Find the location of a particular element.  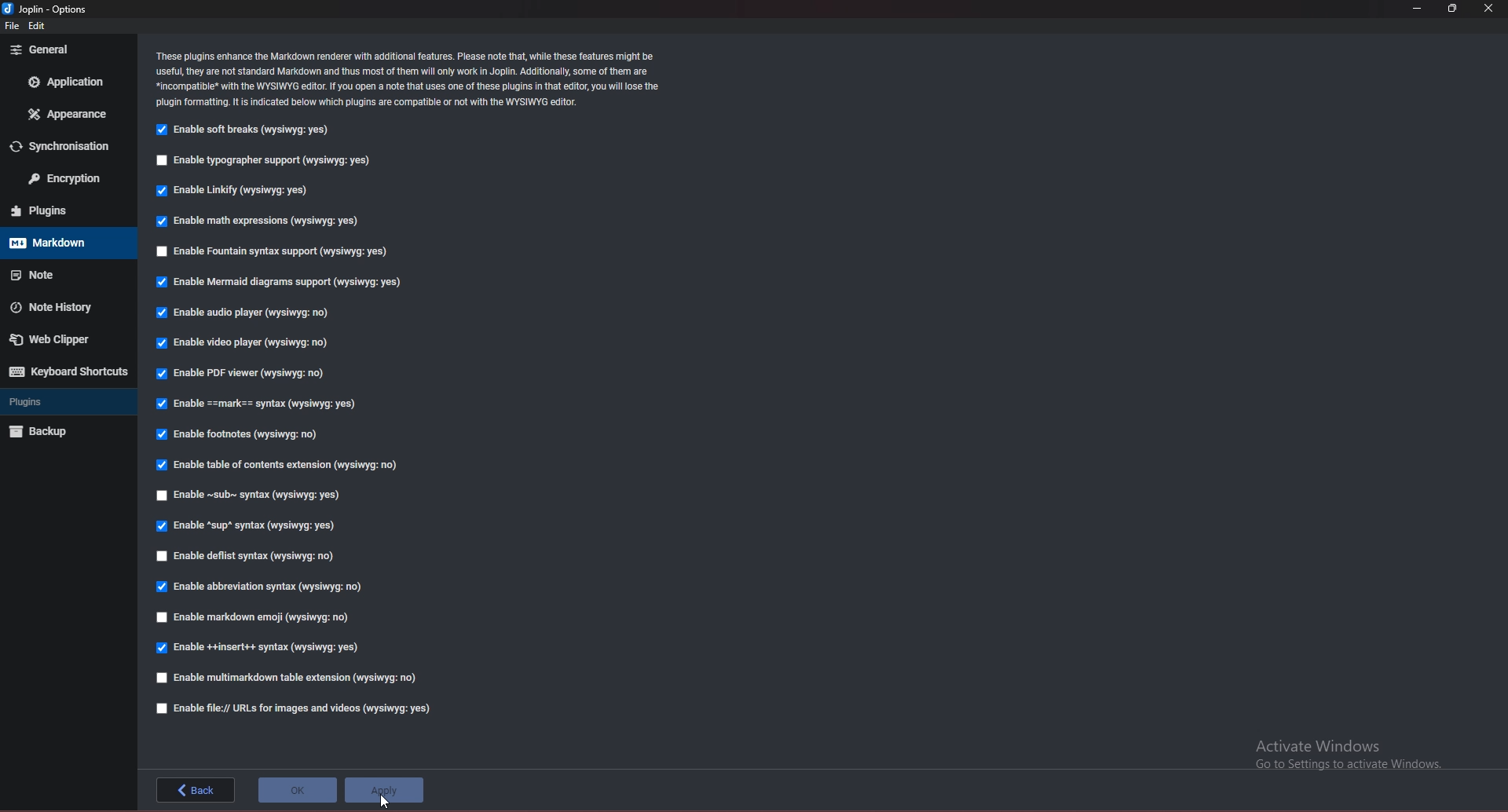

info is located at coordinates (408, 79).